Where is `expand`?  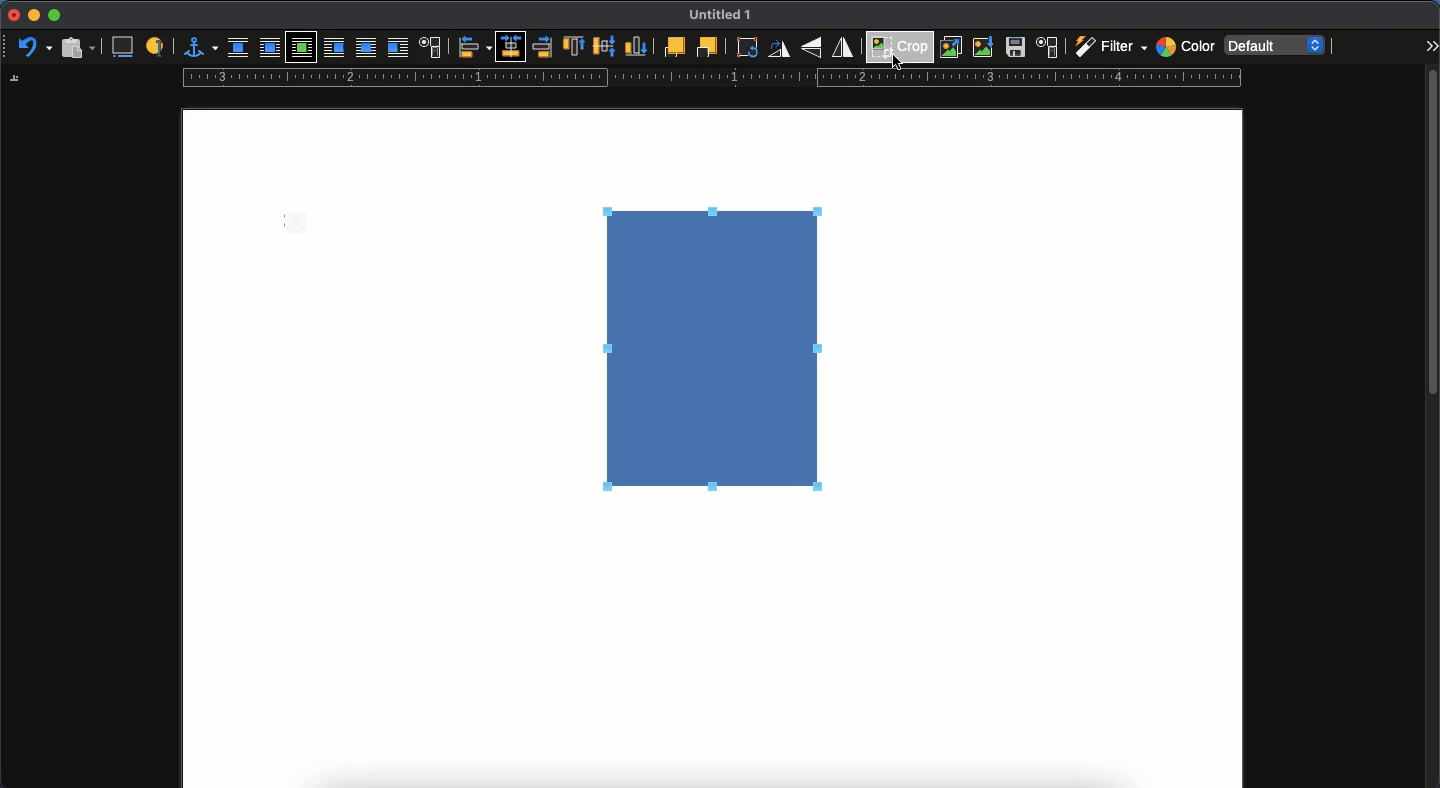 expand is located at coordinates (1431, 45).